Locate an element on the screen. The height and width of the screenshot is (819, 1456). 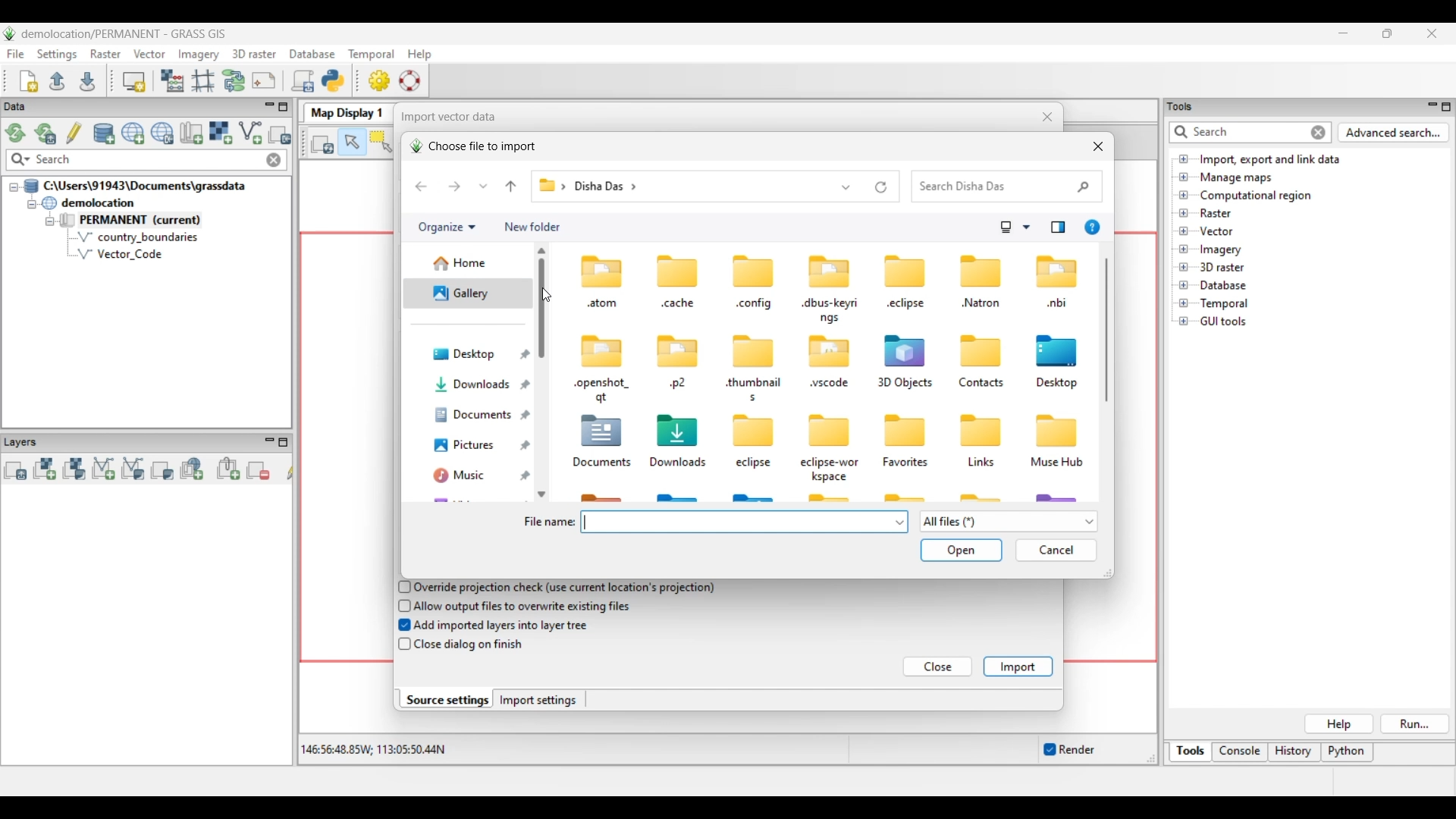
Desktop is located at coordinates (1059, 384).